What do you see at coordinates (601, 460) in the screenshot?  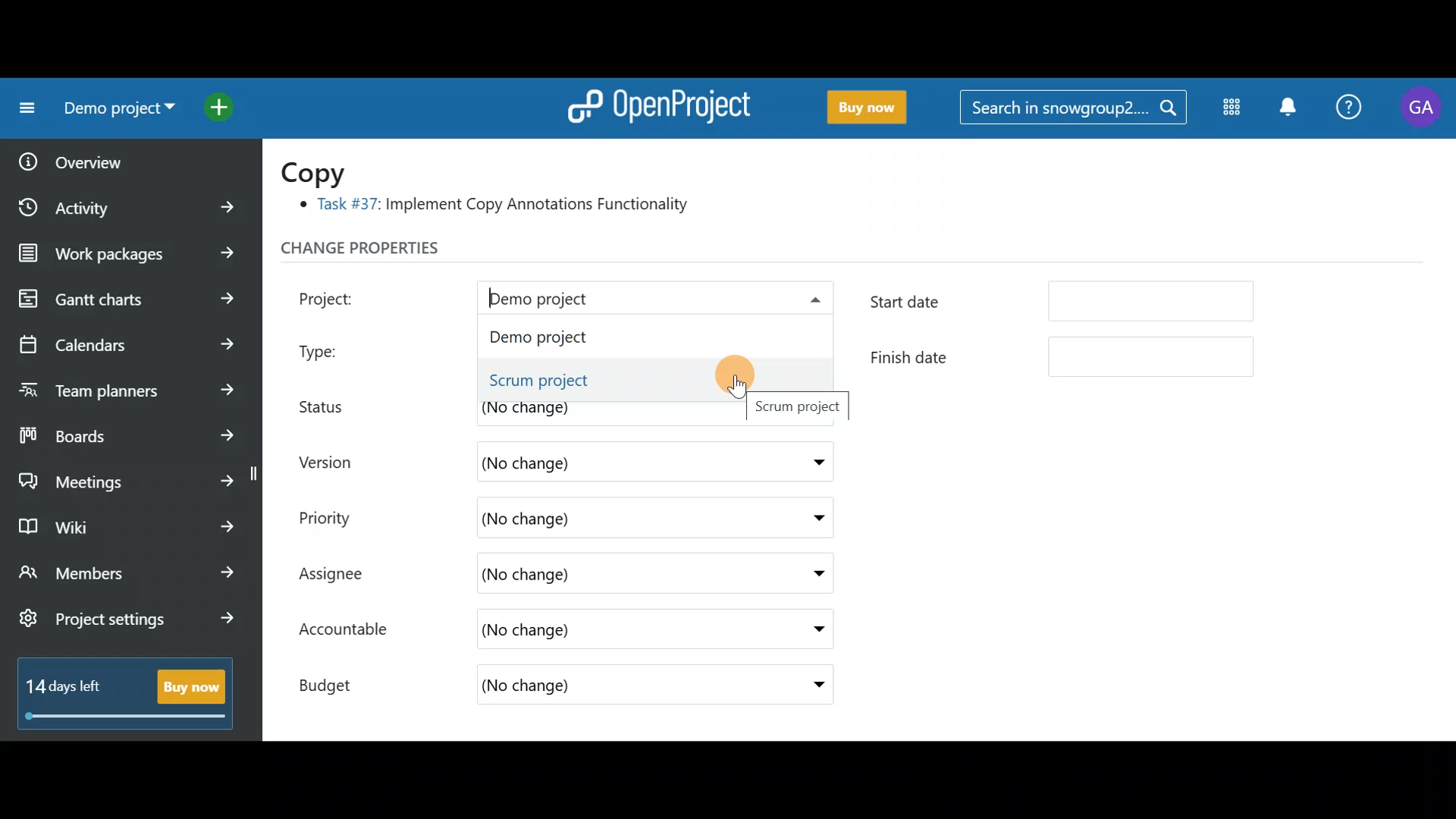 I see `(No change)` at bounding box center [601, 460].